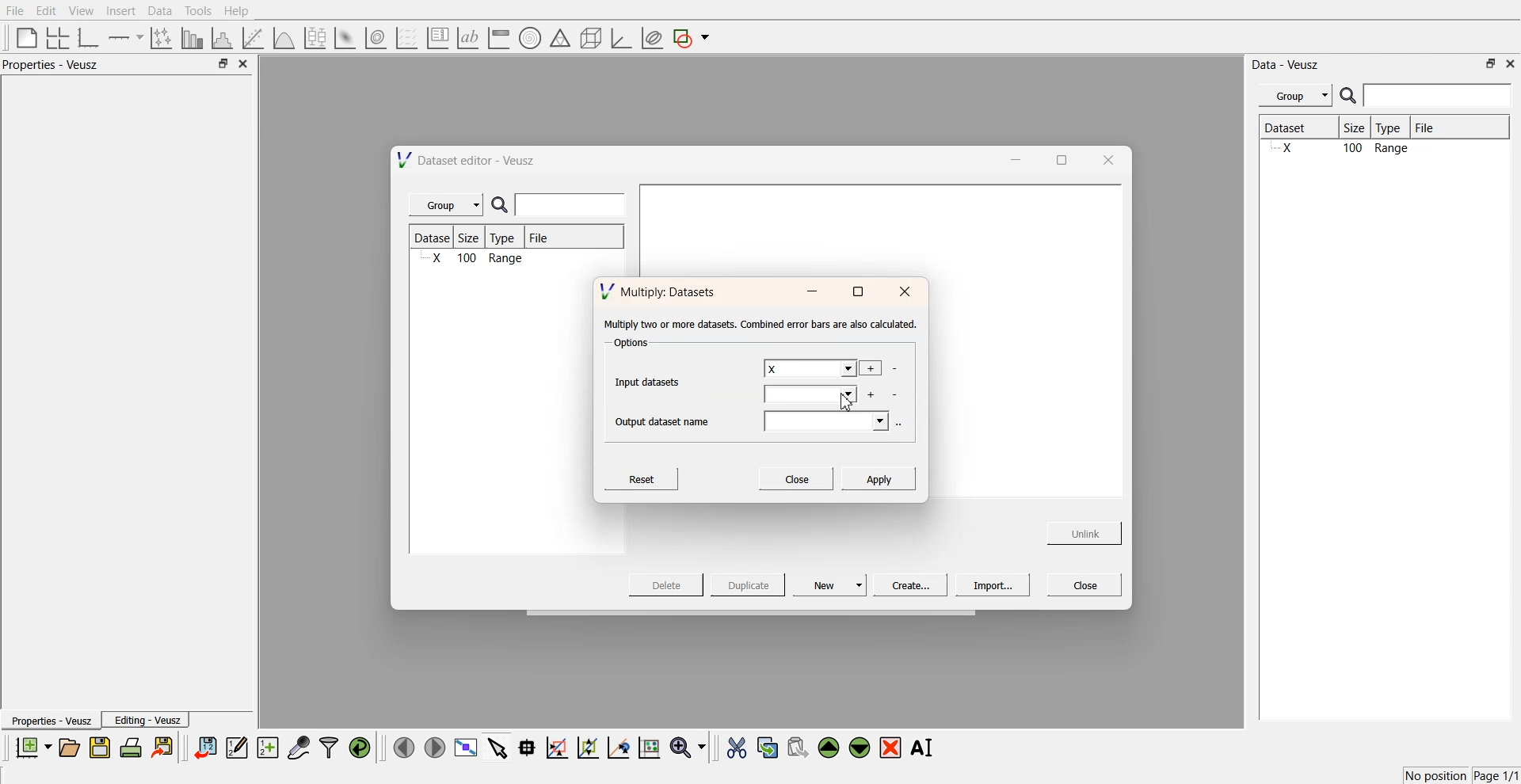 The height and width of the screenshot is (784, 1521). I want to click on Dataset, so click(434, 238).